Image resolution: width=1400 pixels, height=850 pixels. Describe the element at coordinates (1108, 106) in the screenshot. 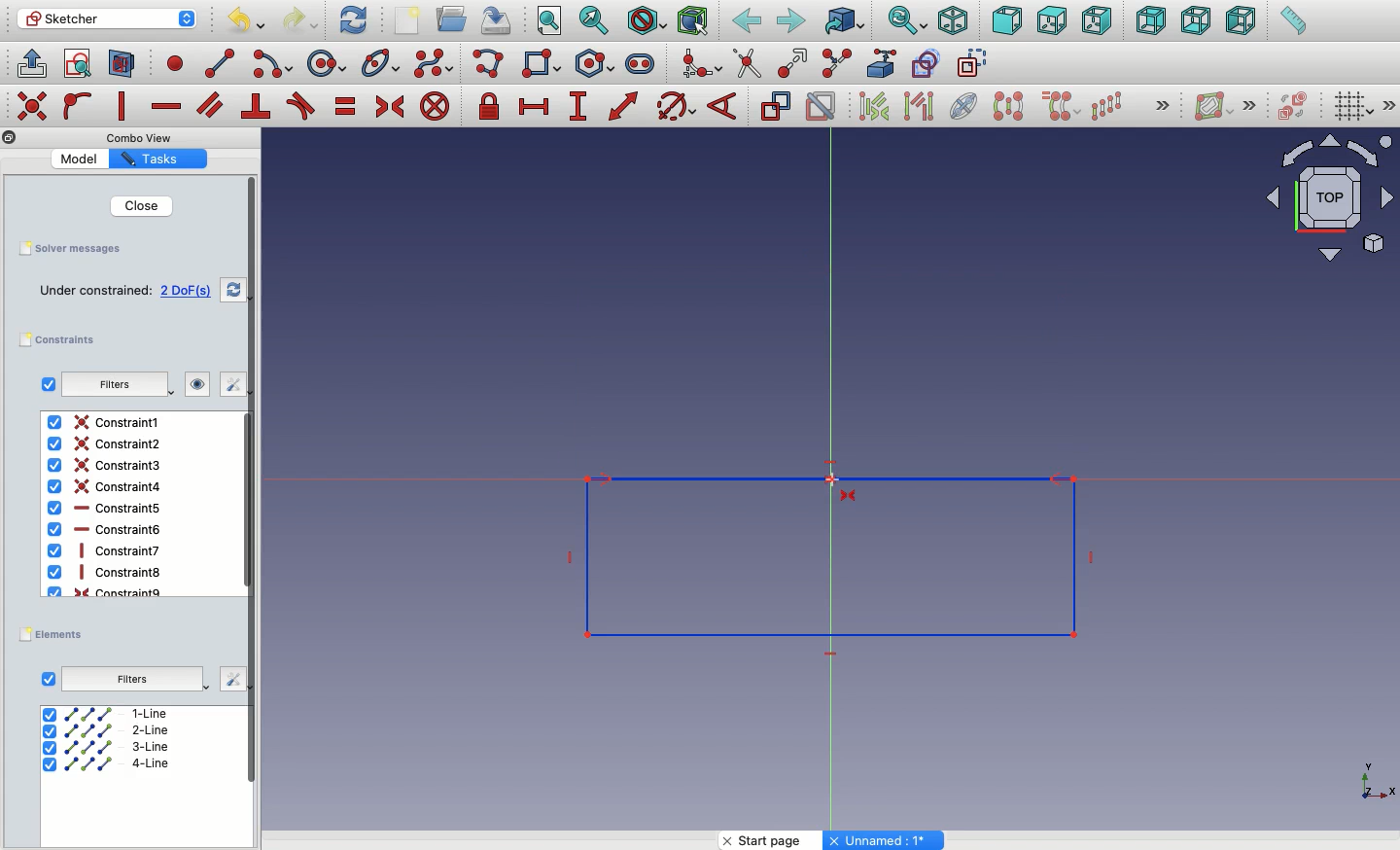

I see `Rectangular array` at that location.